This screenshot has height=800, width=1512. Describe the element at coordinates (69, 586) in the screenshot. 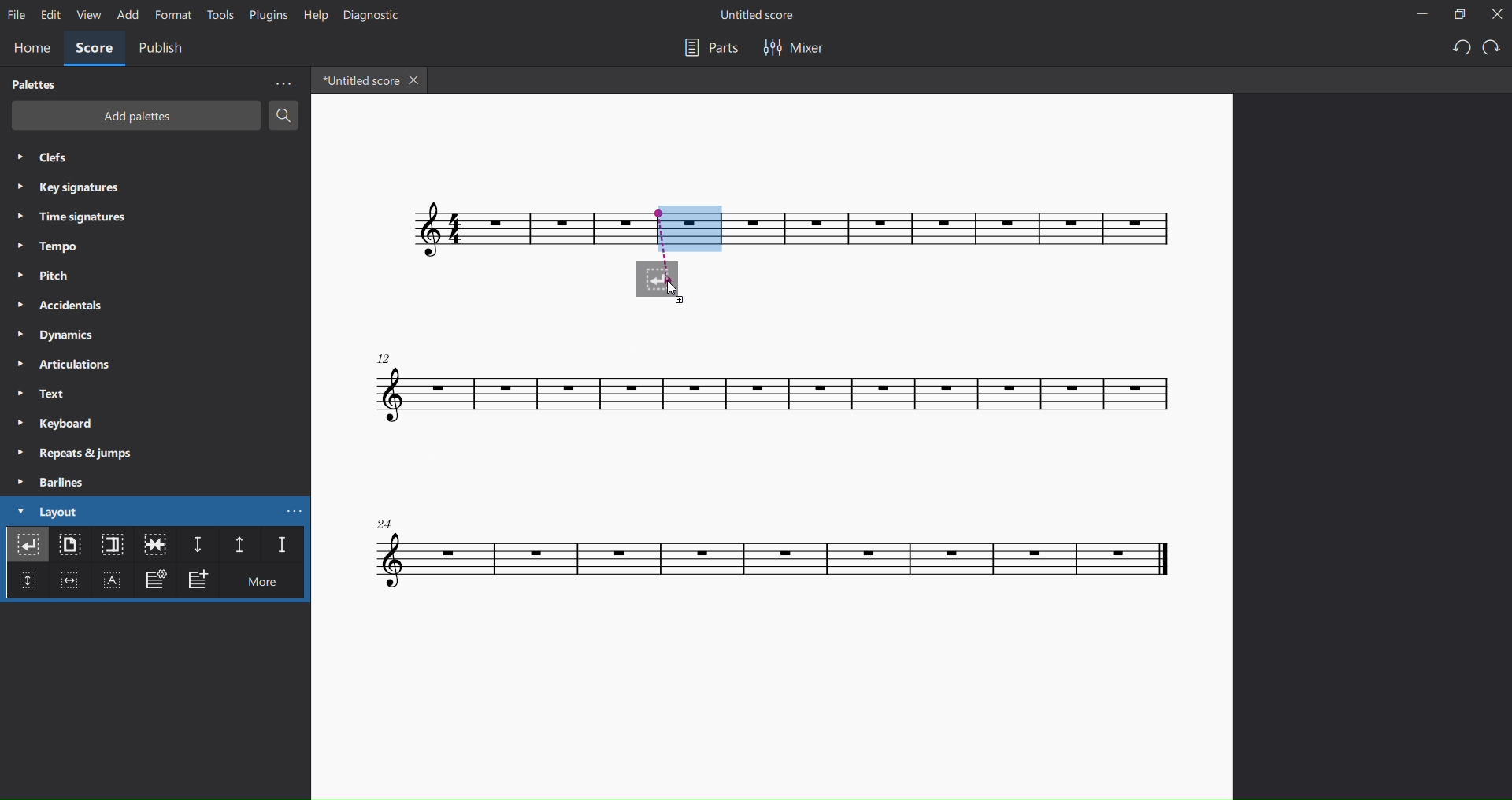

I see `insert horizontal frame` at that location.